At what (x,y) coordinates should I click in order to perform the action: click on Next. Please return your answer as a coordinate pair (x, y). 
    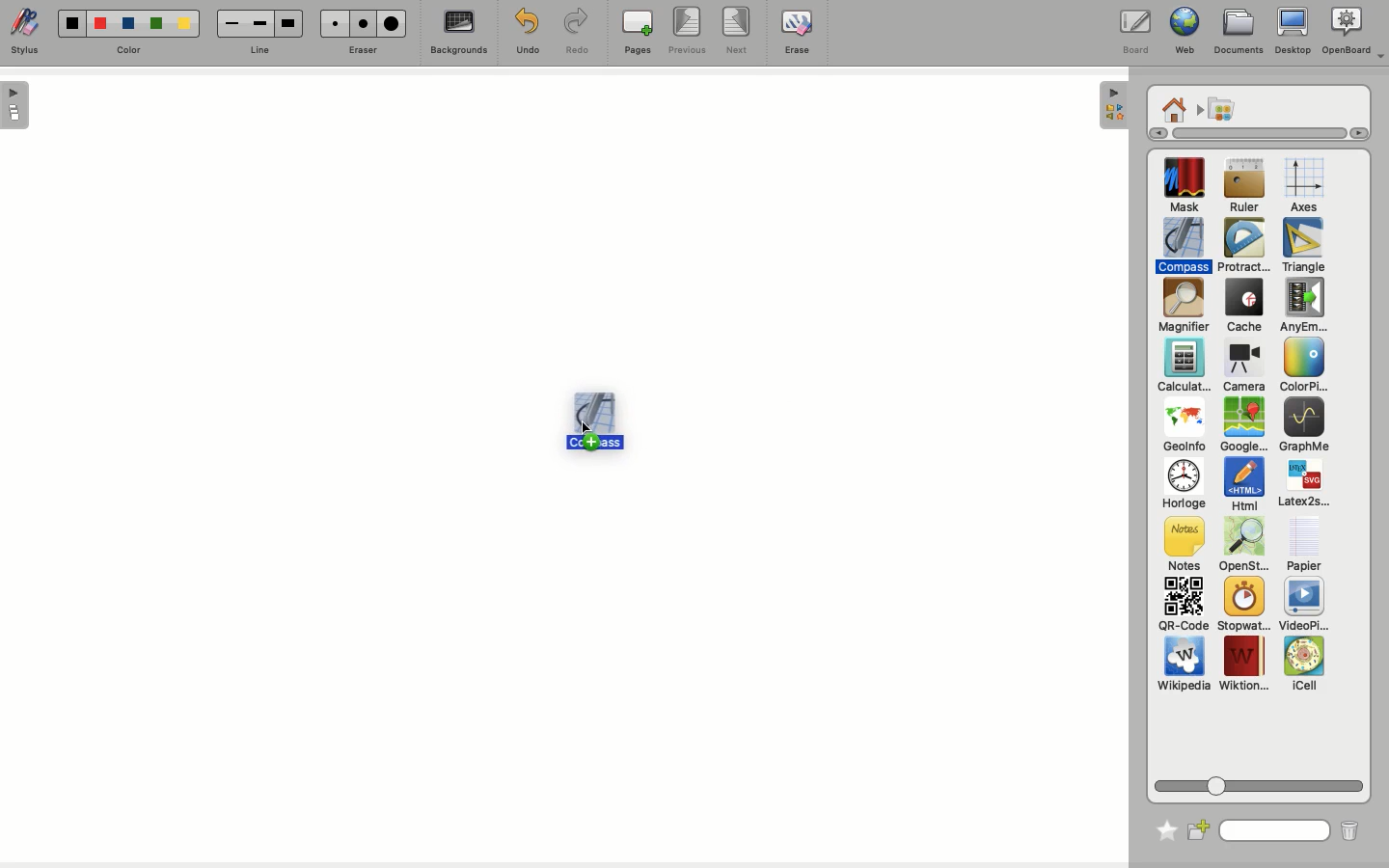
    Looking at the image, I should click on (739, 32).